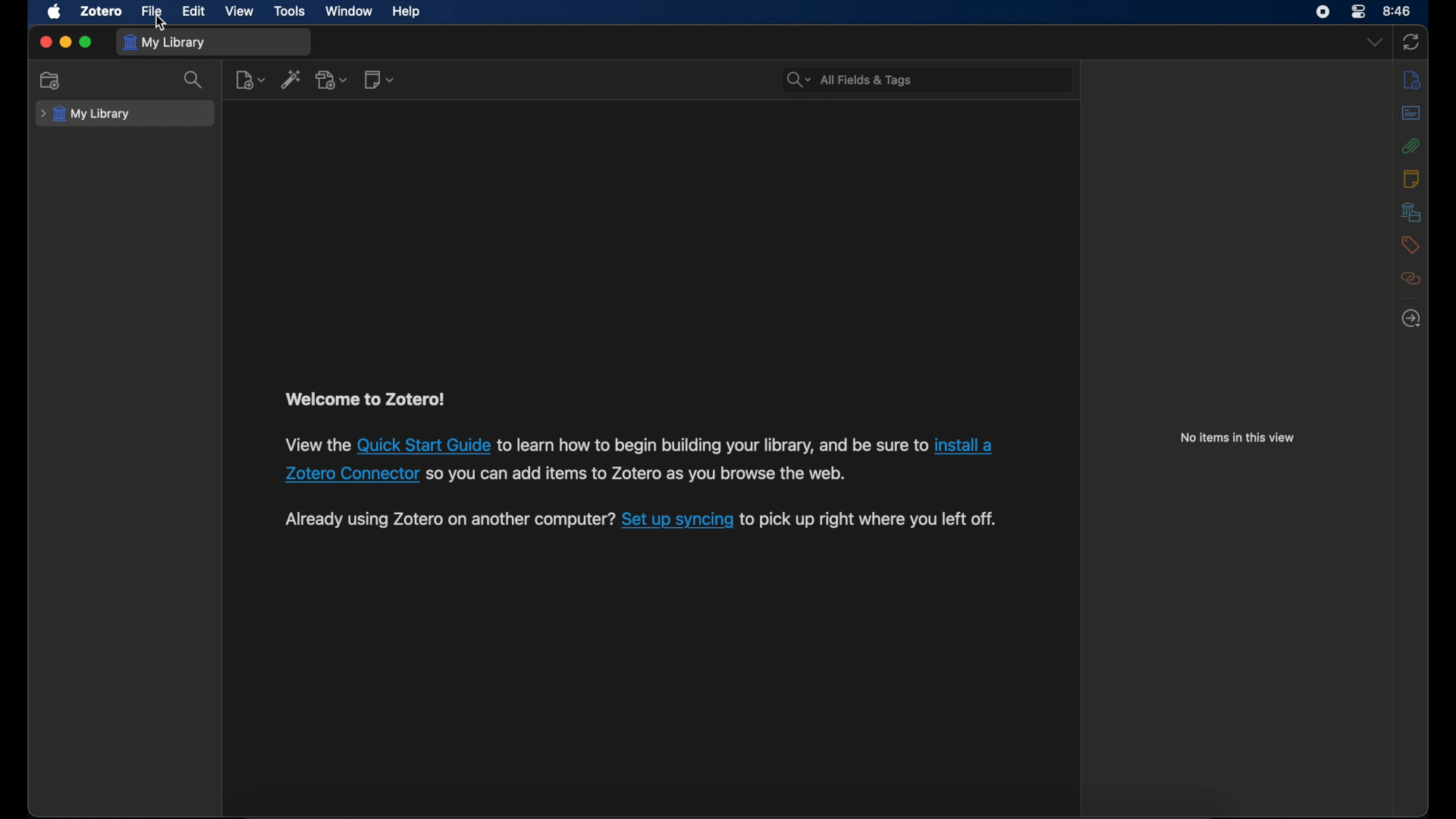 This screenshot has width=1456, height=819. What do you see at coordinates (379, 80) in the screenshot?
I see `new note` at bounding box center [379, 80].